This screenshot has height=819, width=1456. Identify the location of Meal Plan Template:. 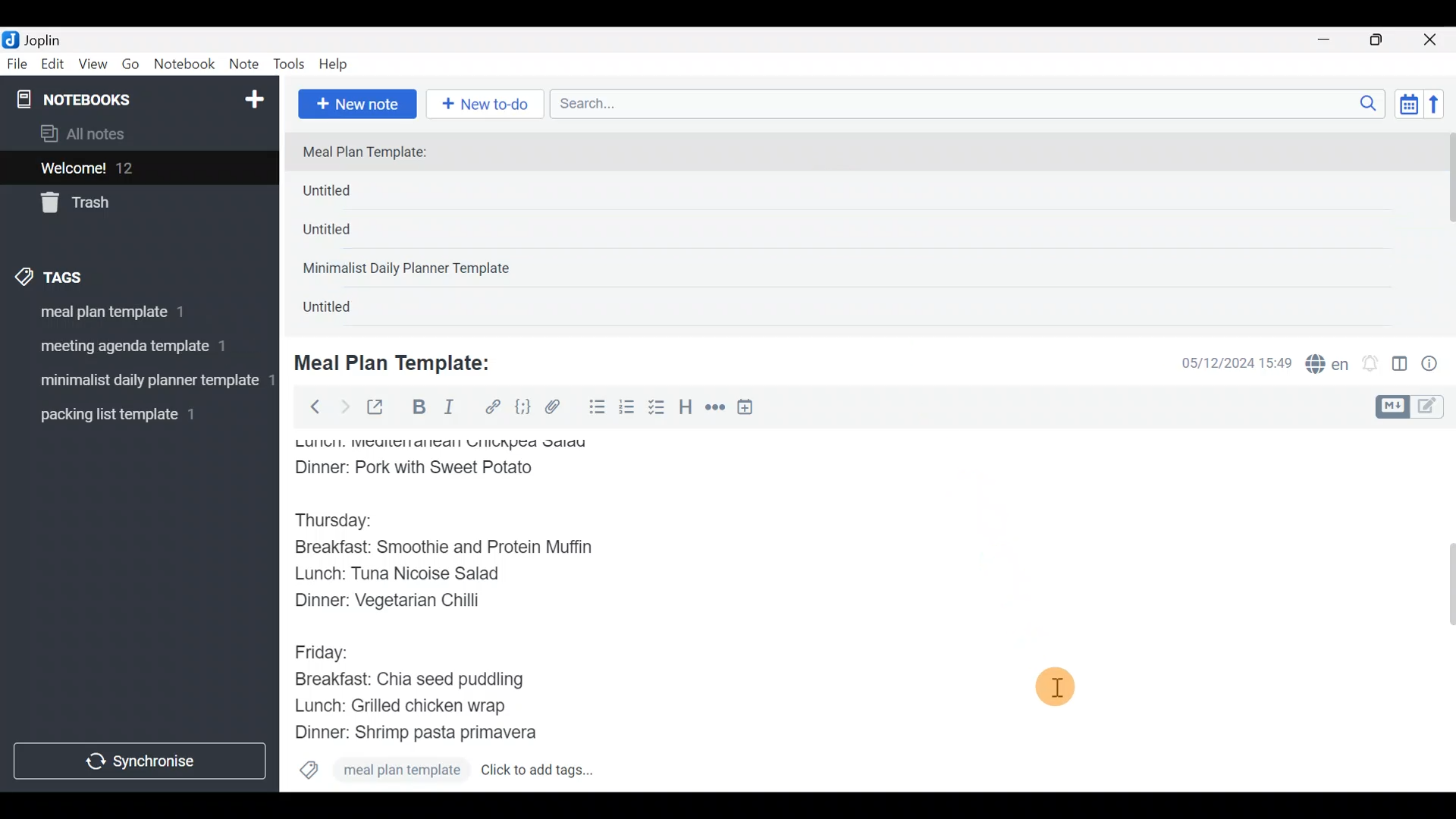
(402, 361).